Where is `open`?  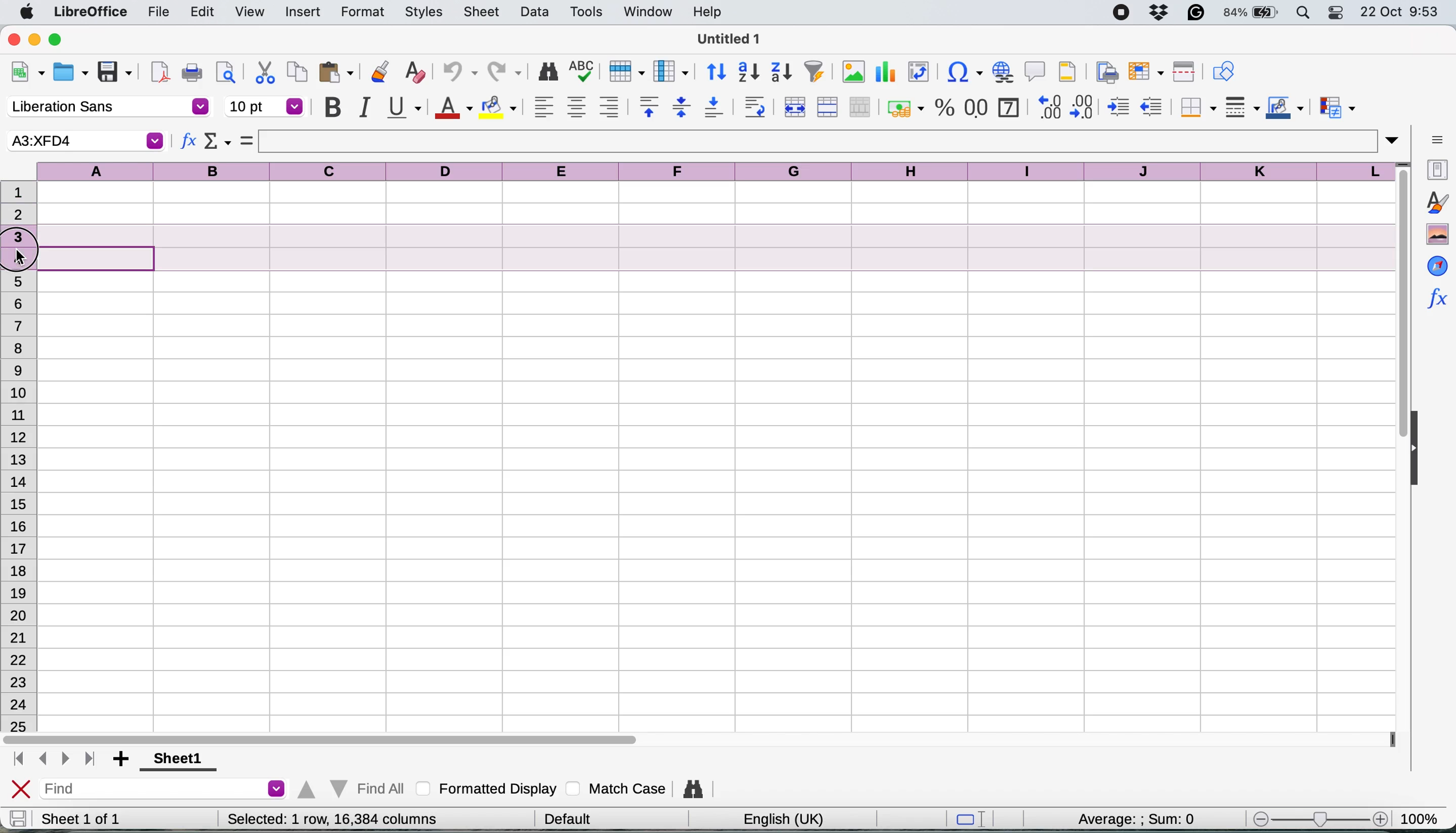
open is located at coordinates (70, 74).